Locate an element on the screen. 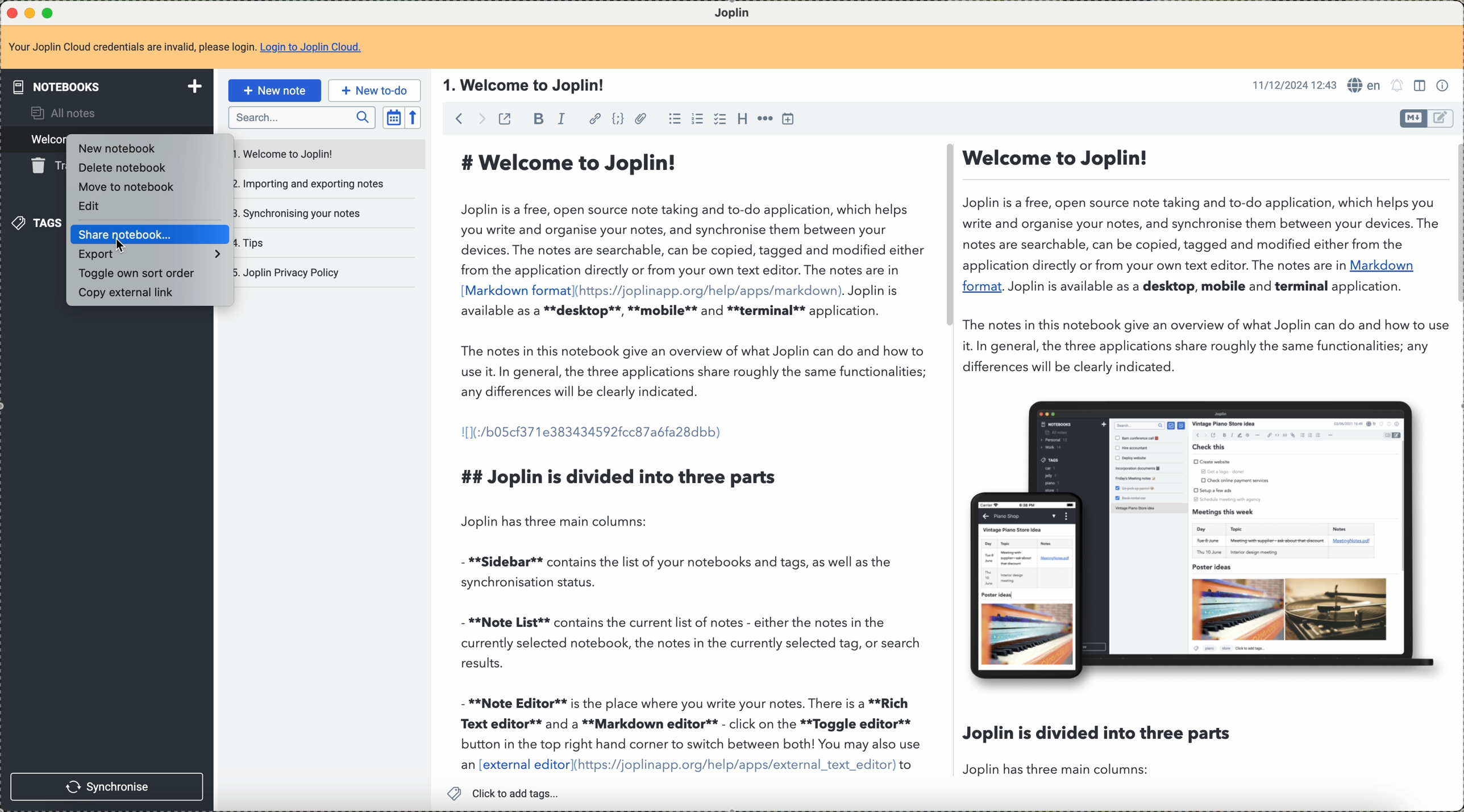 The height and width of the screenshot is (812, 1464). maximize Joplin is located at coordinates (50, 14).